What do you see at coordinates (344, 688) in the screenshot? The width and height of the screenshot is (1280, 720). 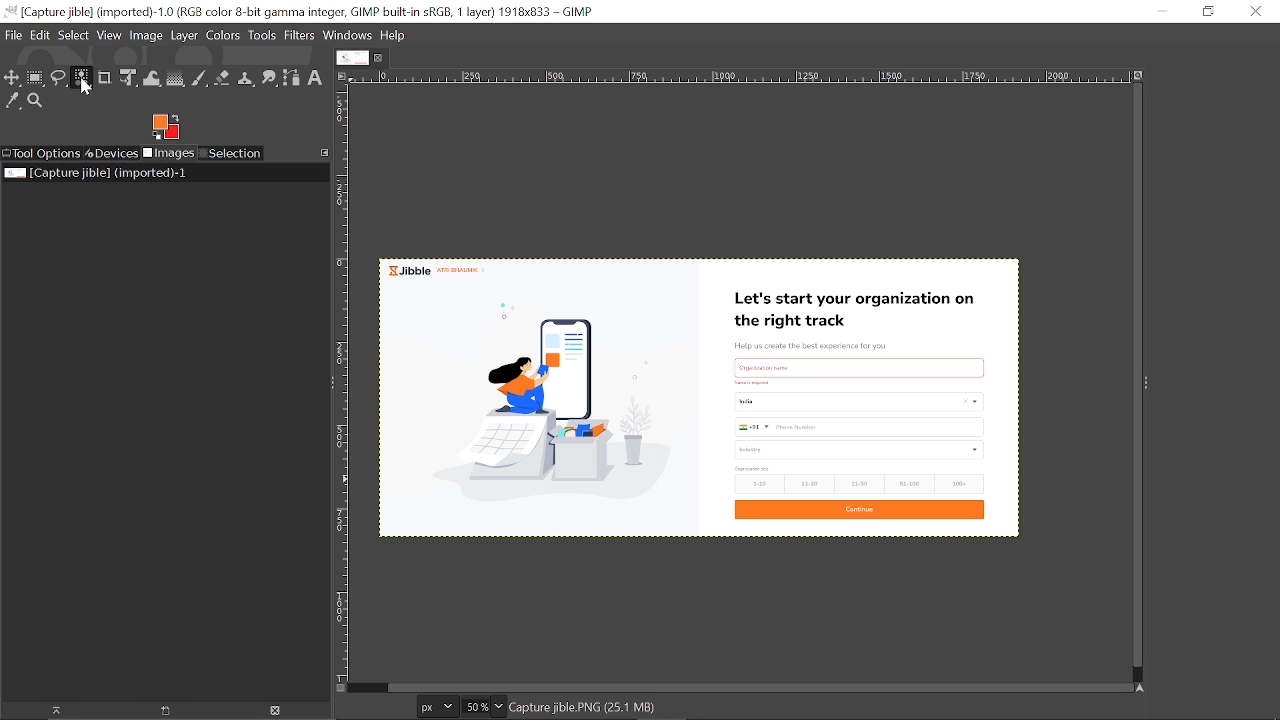 I see `Toggle quick mask on/off` at bounding box center [344, 688].